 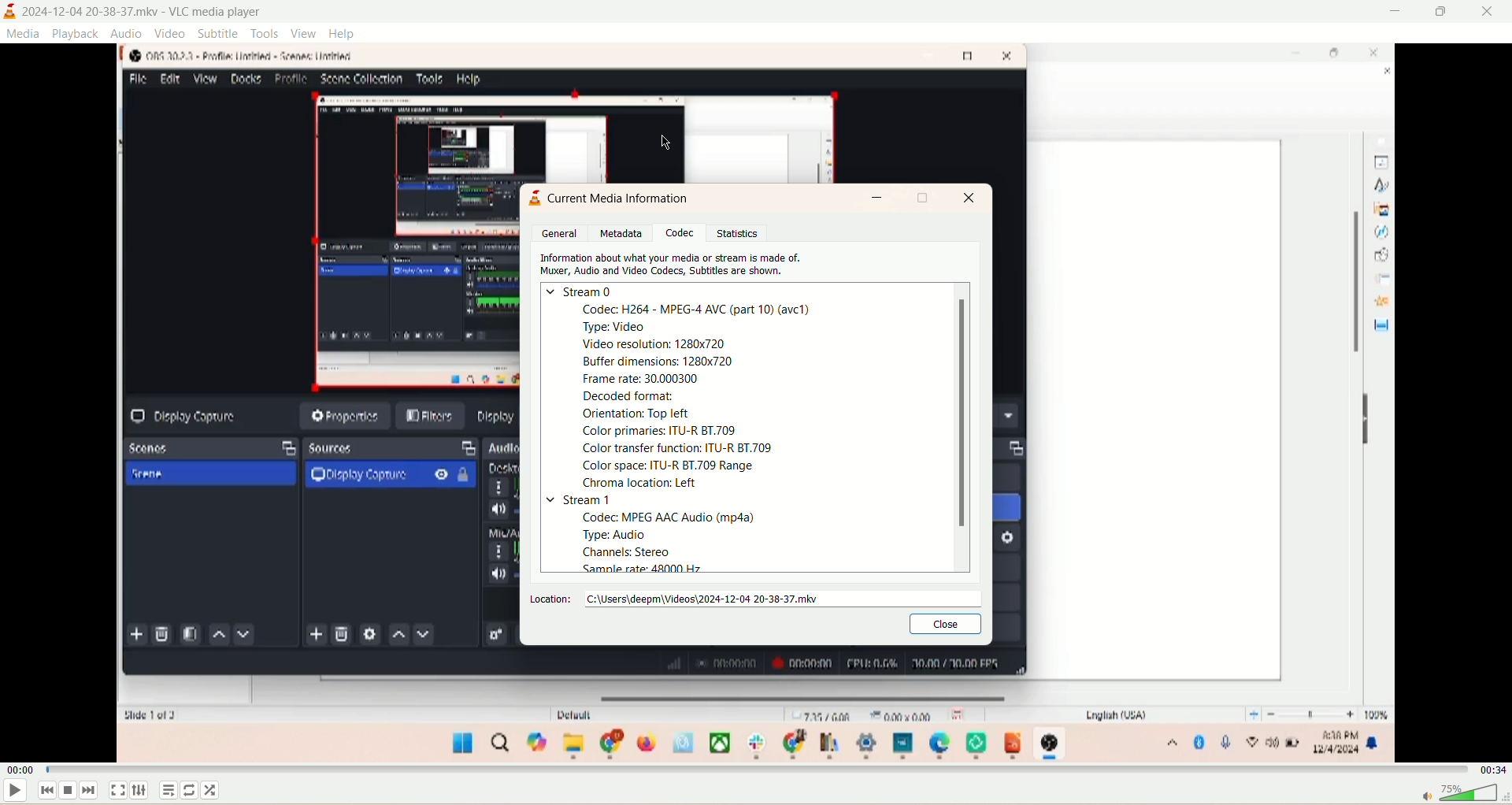 What do you see at coordinates (190, 788) in the screenshot?
I see `loop` at bounding box center [190, 788].